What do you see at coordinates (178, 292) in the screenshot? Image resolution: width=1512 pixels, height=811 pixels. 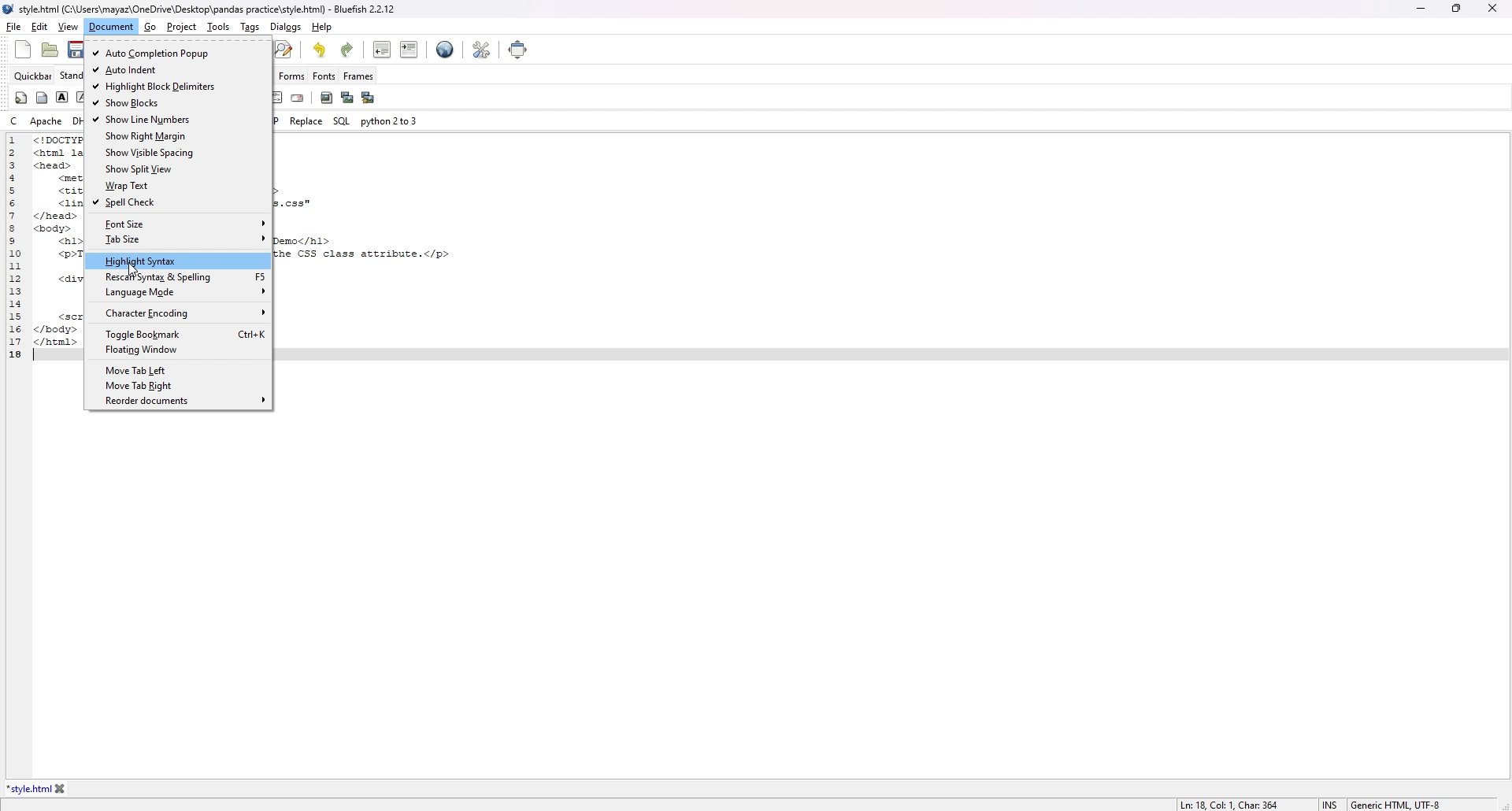 I see `language mode` at bounding box center [178, 292].